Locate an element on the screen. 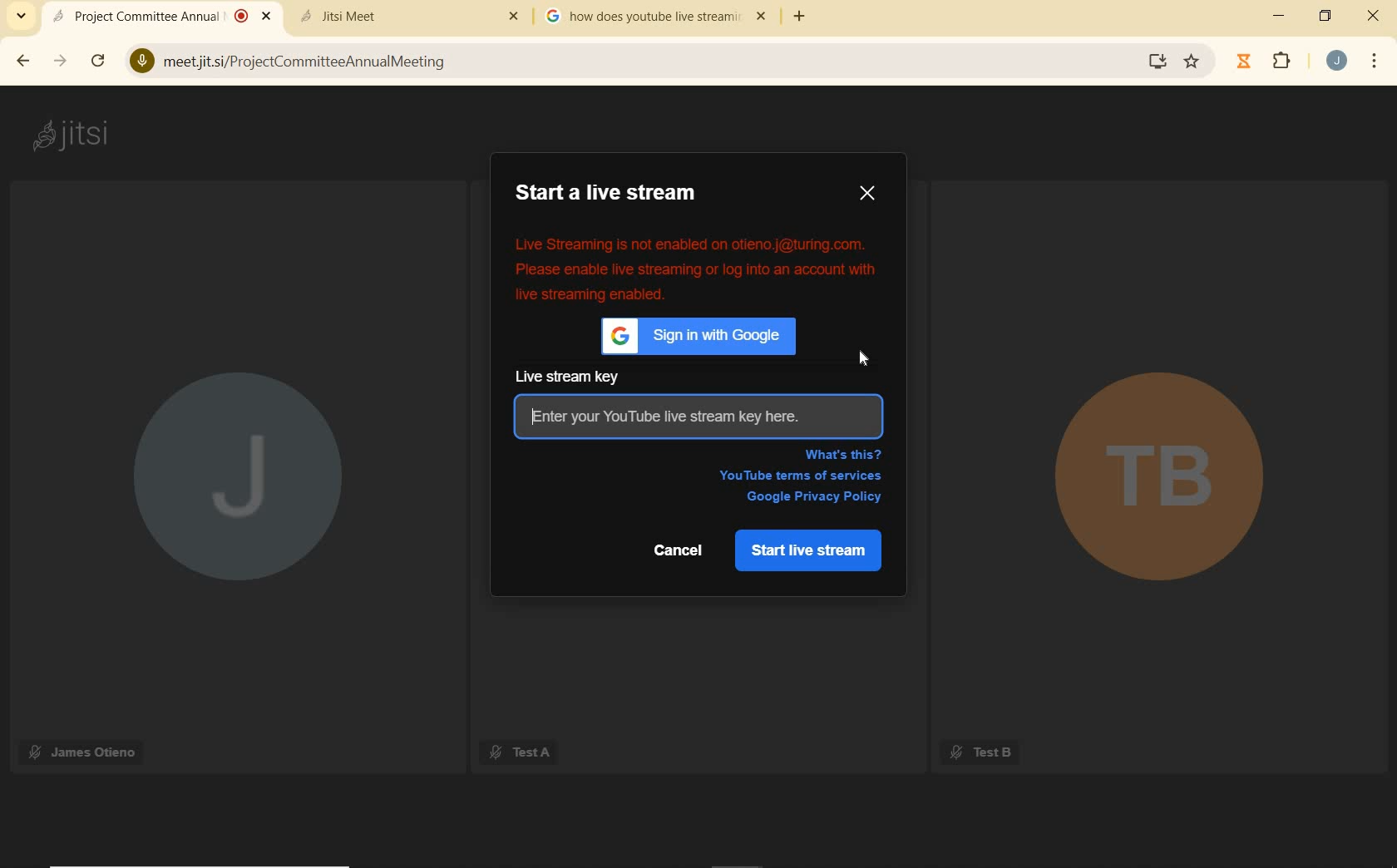 The width and height of the screenshot is (1397, 868). back is located at coordinates (24, 60).